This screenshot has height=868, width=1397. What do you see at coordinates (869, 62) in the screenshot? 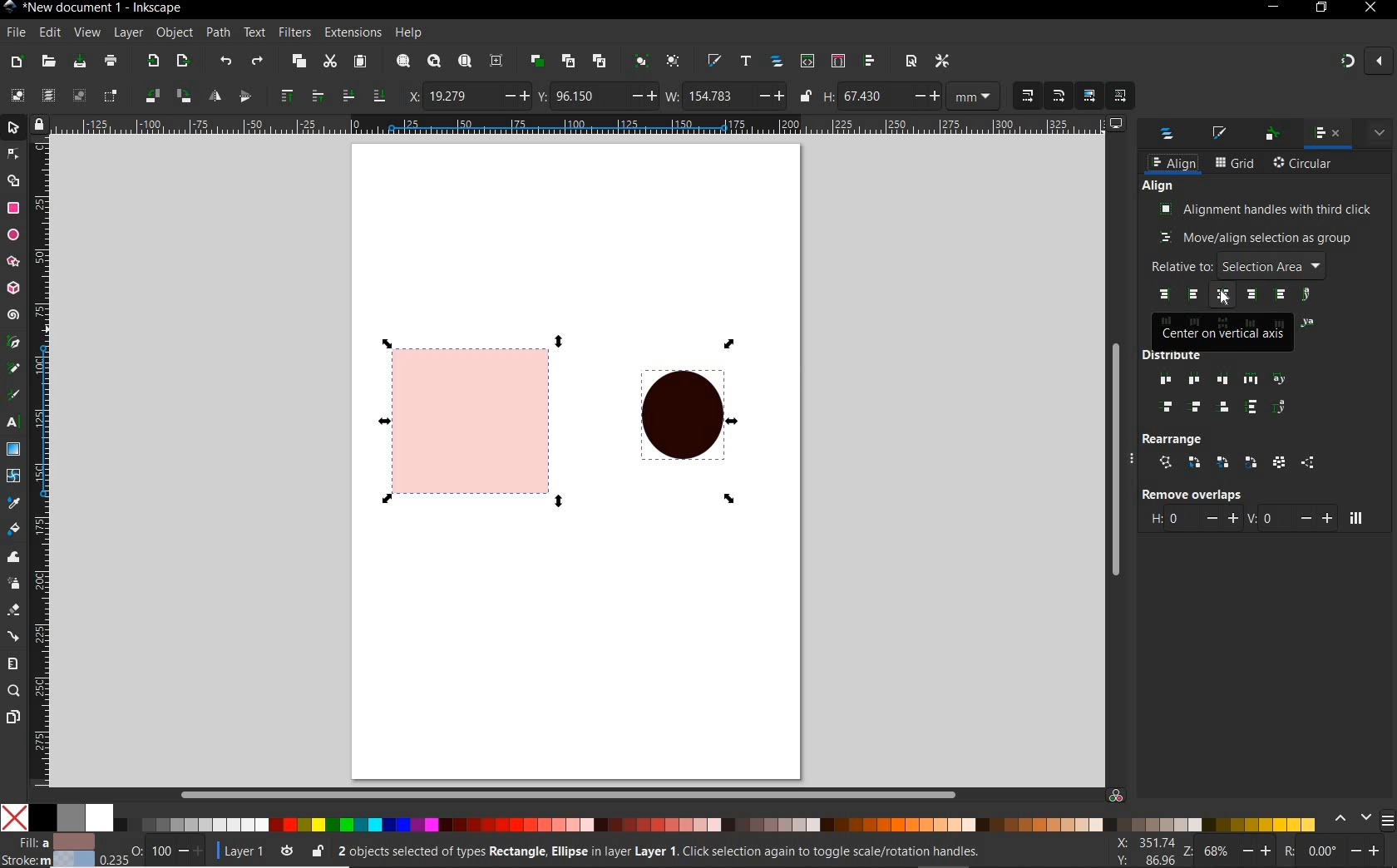
I see `open align and distribu` at bounding box center [869, 62].